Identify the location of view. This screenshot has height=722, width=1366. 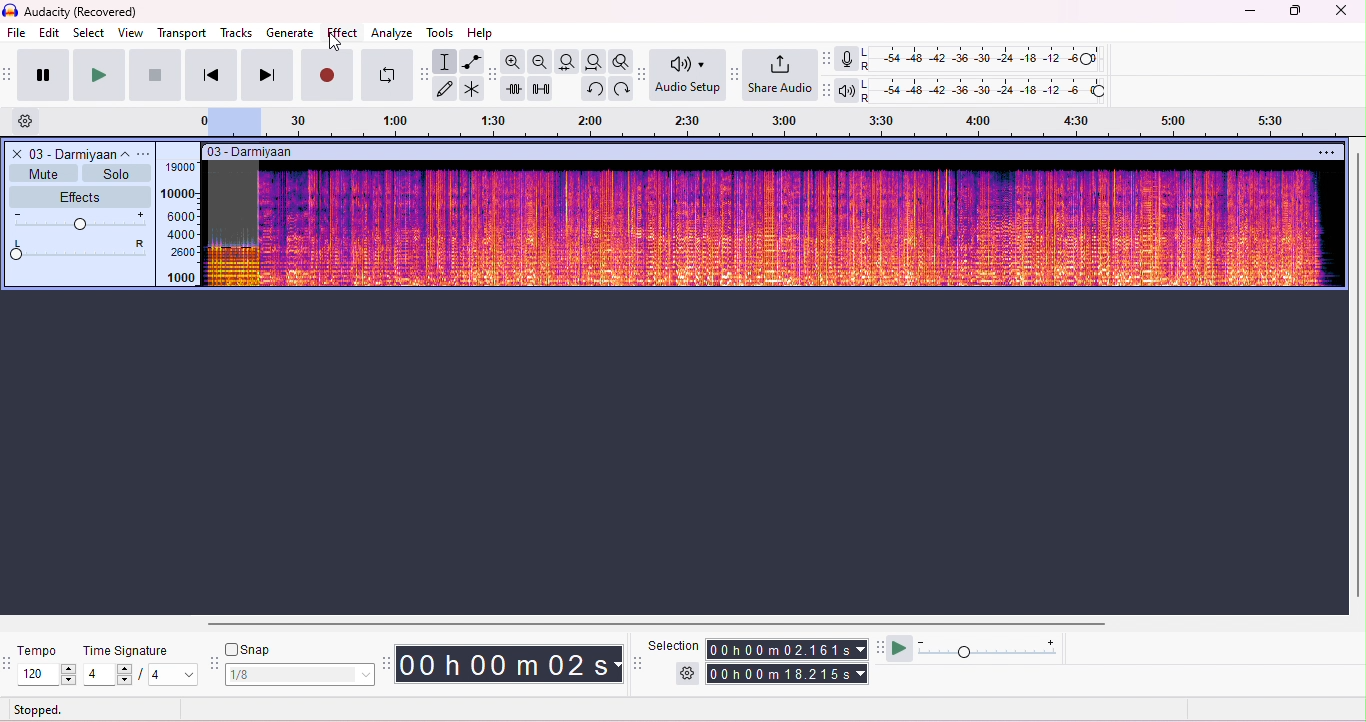
(131, 34).